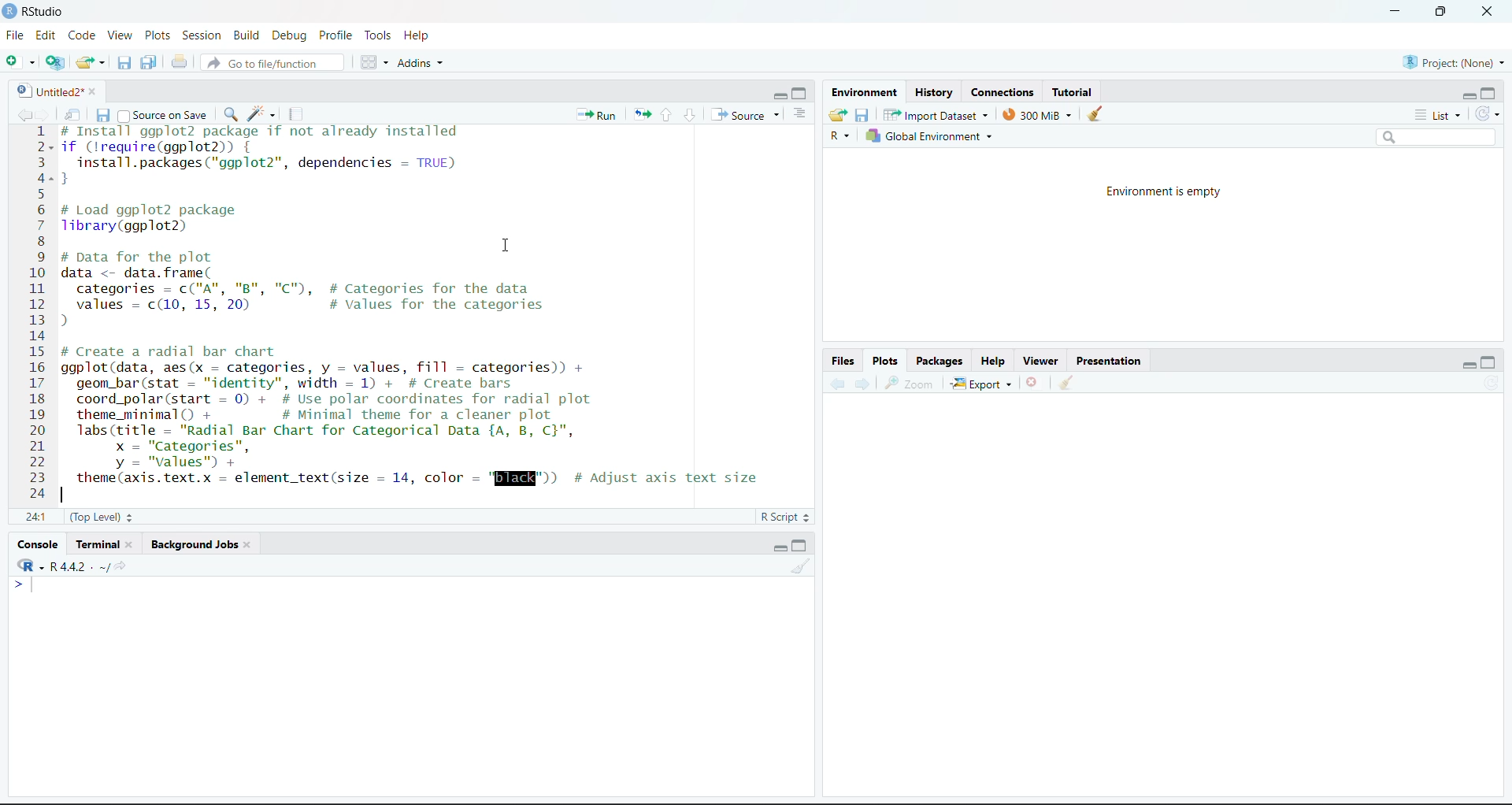  I want to click on Profile, so click(336, 37).